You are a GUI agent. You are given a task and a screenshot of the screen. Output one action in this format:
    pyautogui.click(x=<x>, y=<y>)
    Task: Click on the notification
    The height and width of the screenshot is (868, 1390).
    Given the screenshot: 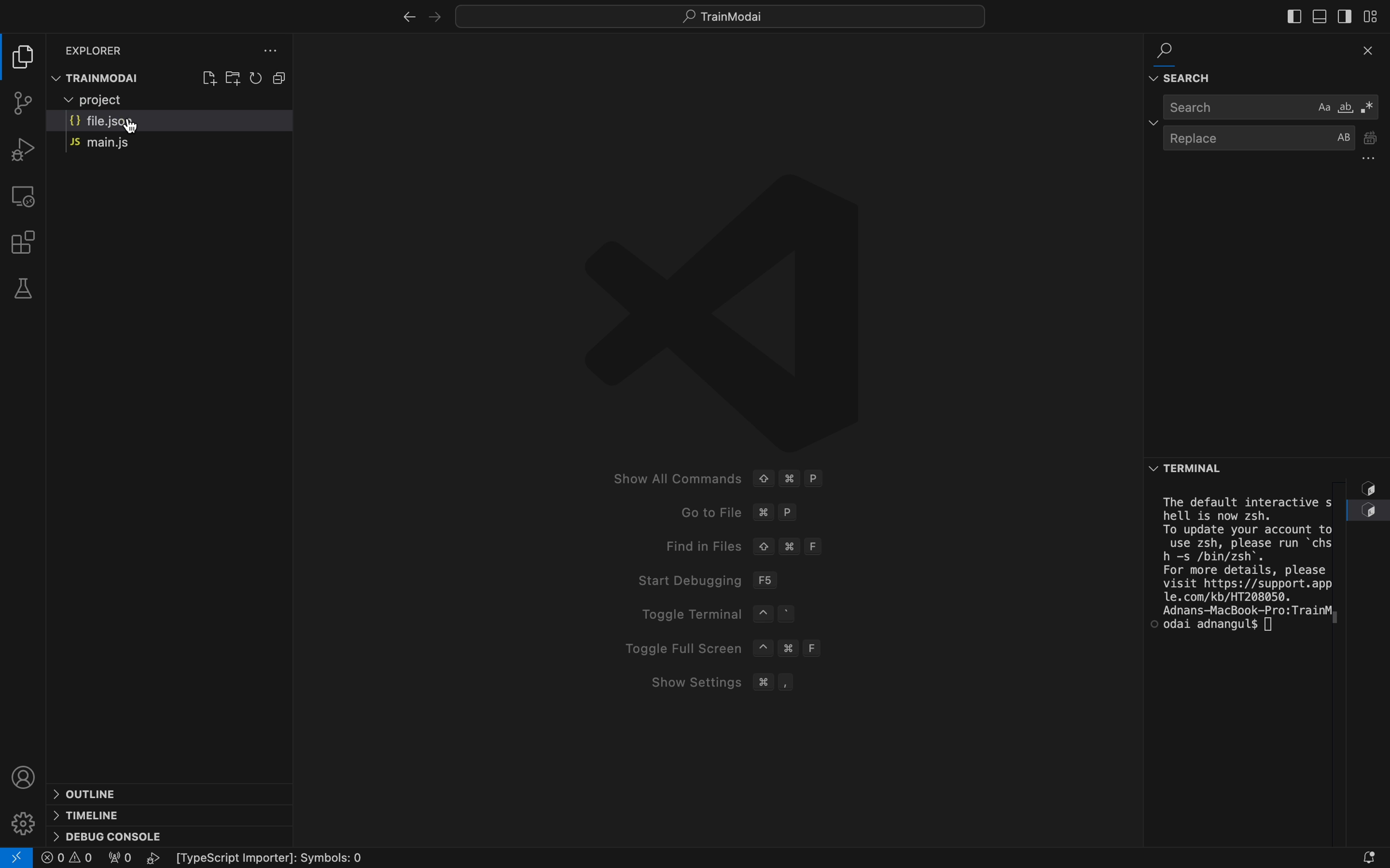 What is the action you would take?
    pyautogui.click(x=1350, y=852)
    